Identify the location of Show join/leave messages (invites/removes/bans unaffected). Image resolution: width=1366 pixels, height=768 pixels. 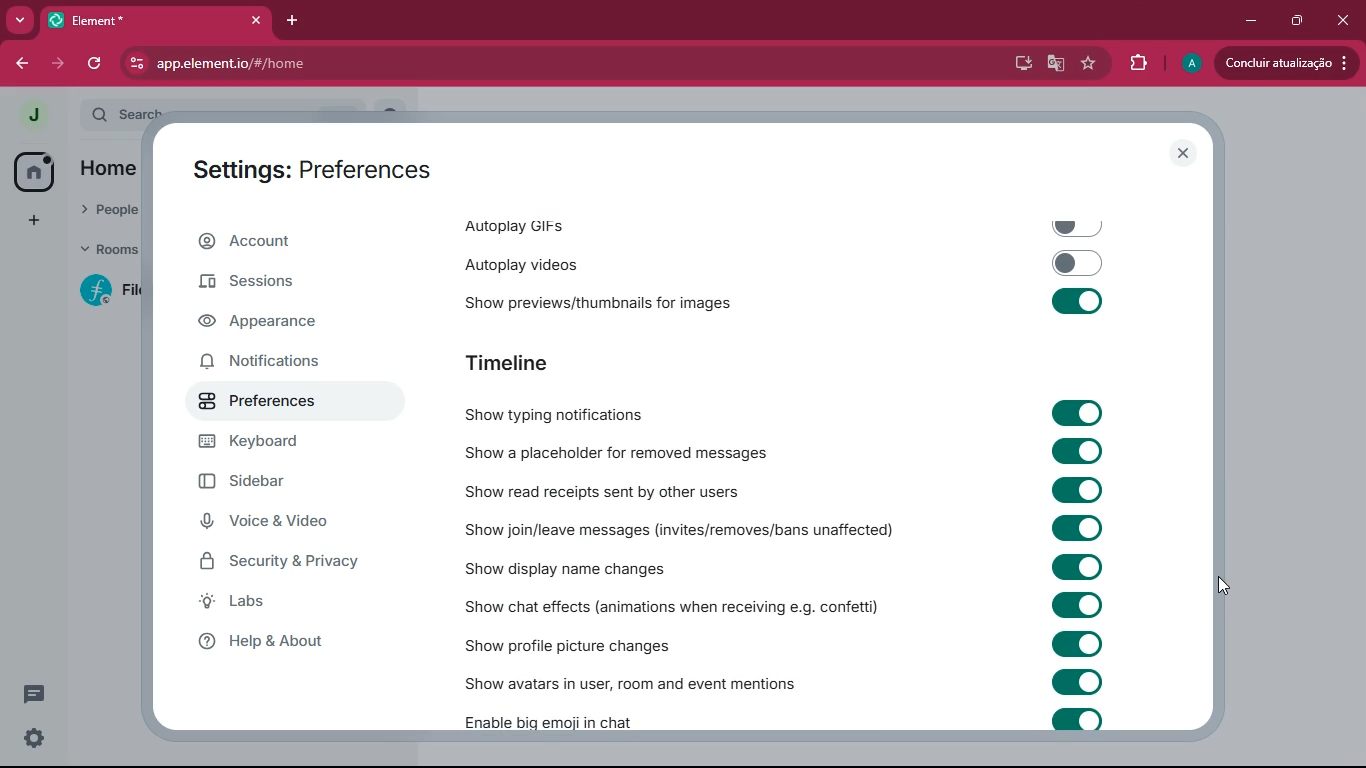
(790, 528).